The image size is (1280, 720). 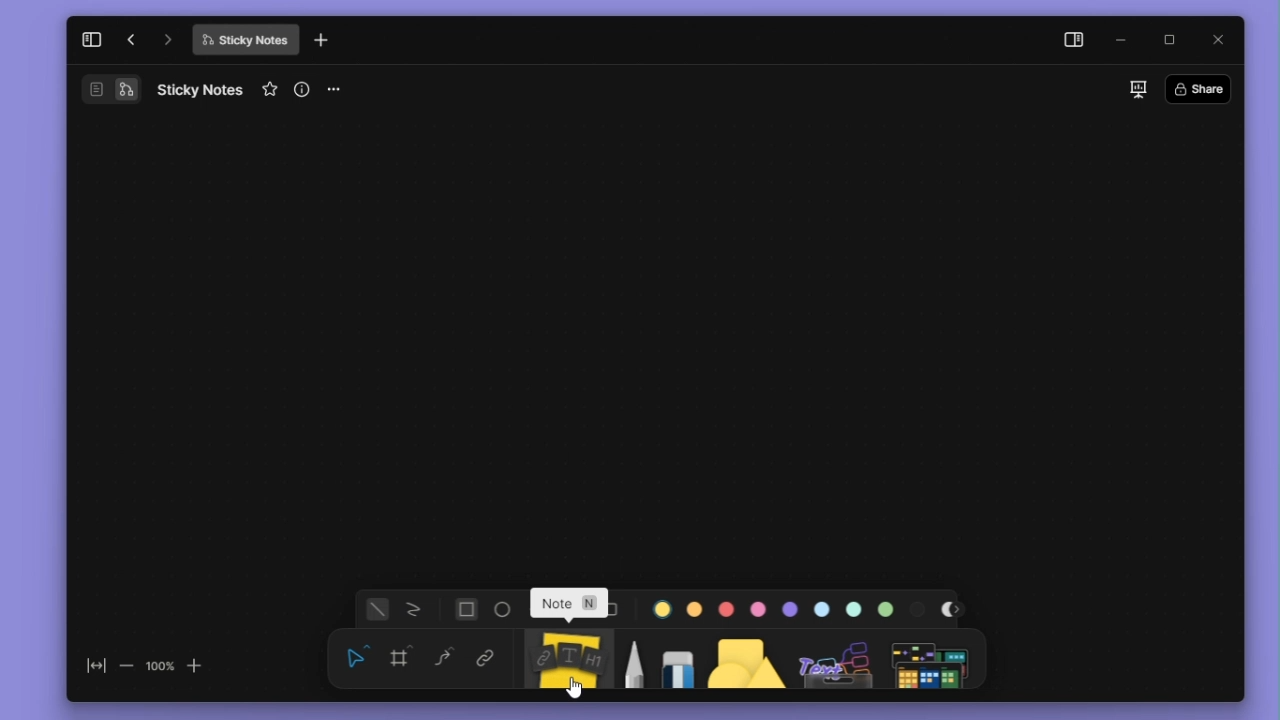 What do you see at coordinates (663, 609) in the screenshot?
I see `color palatte` at bounding box center [663, 609].